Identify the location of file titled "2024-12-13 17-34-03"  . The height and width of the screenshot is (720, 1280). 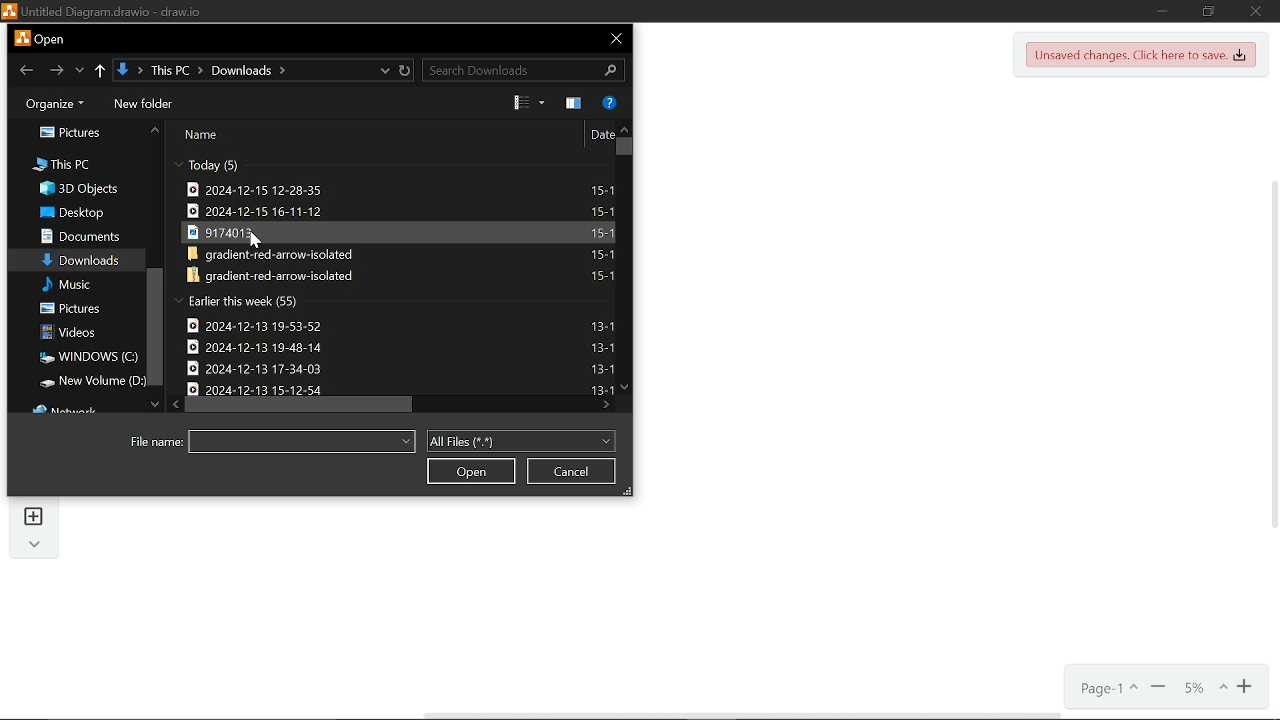
(407, 367).